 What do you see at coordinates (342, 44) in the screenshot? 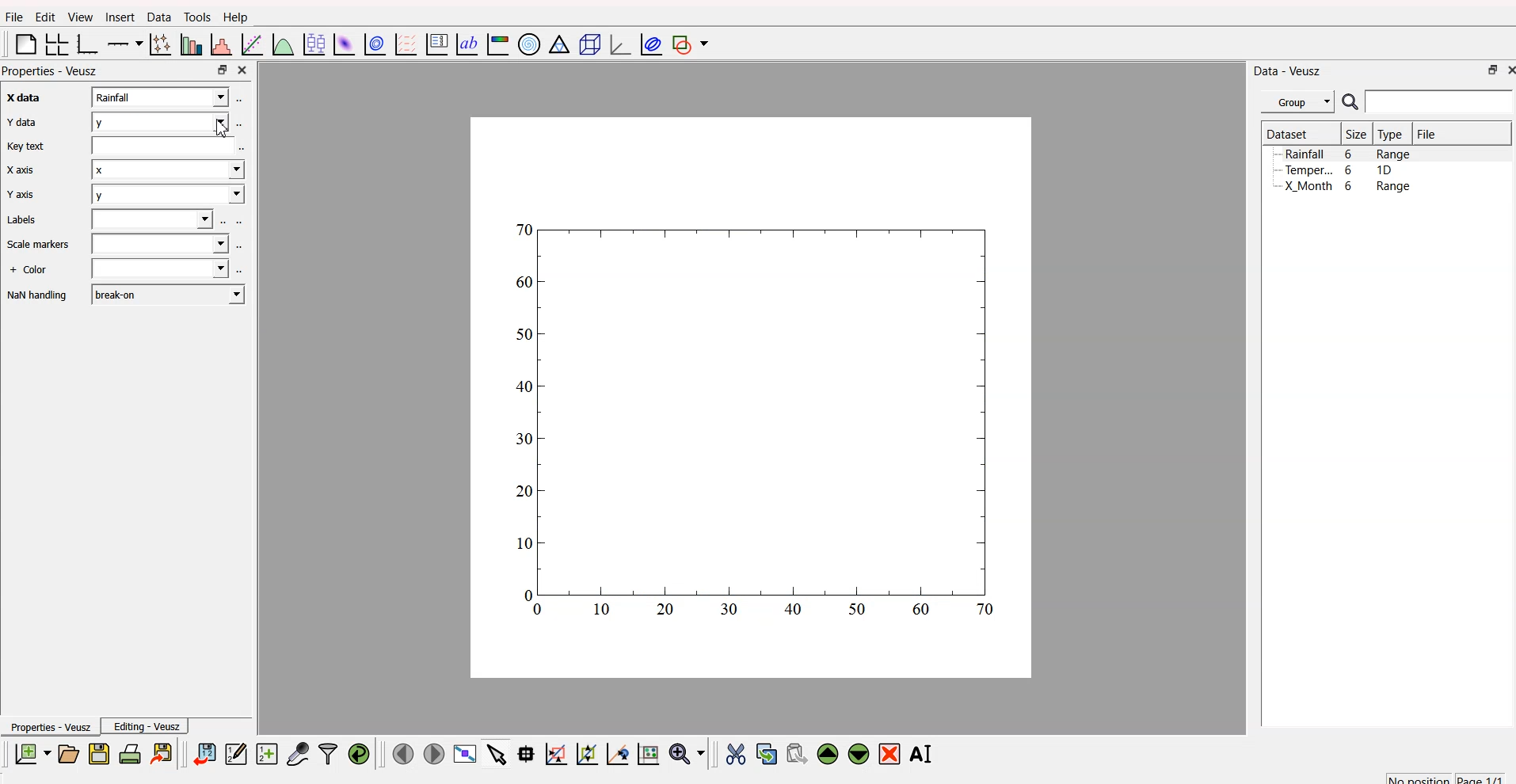
I see `plot dataset` at bounding box center [342, 44].